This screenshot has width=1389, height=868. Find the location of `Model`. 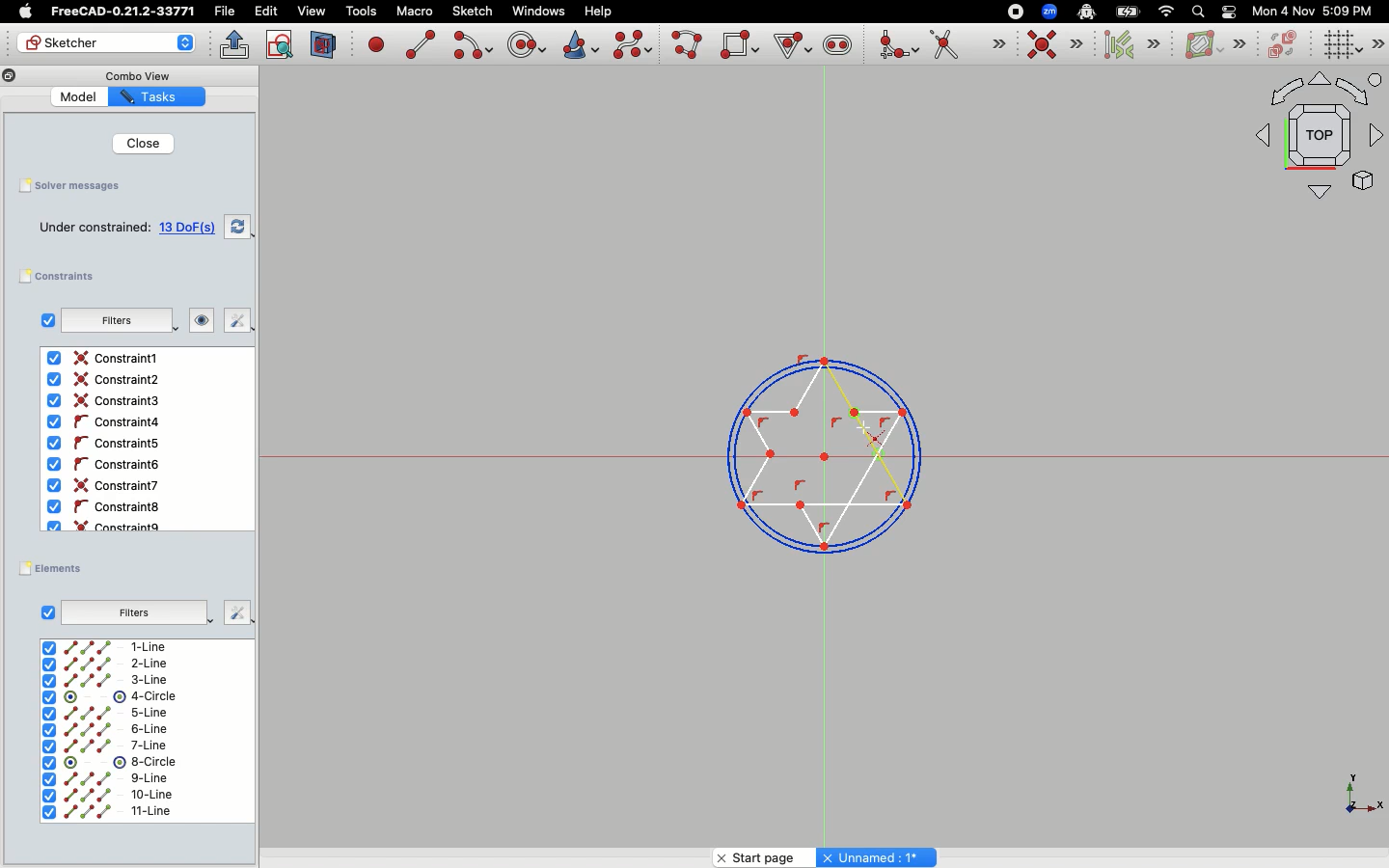

Model is located at coordinates (76, 95).